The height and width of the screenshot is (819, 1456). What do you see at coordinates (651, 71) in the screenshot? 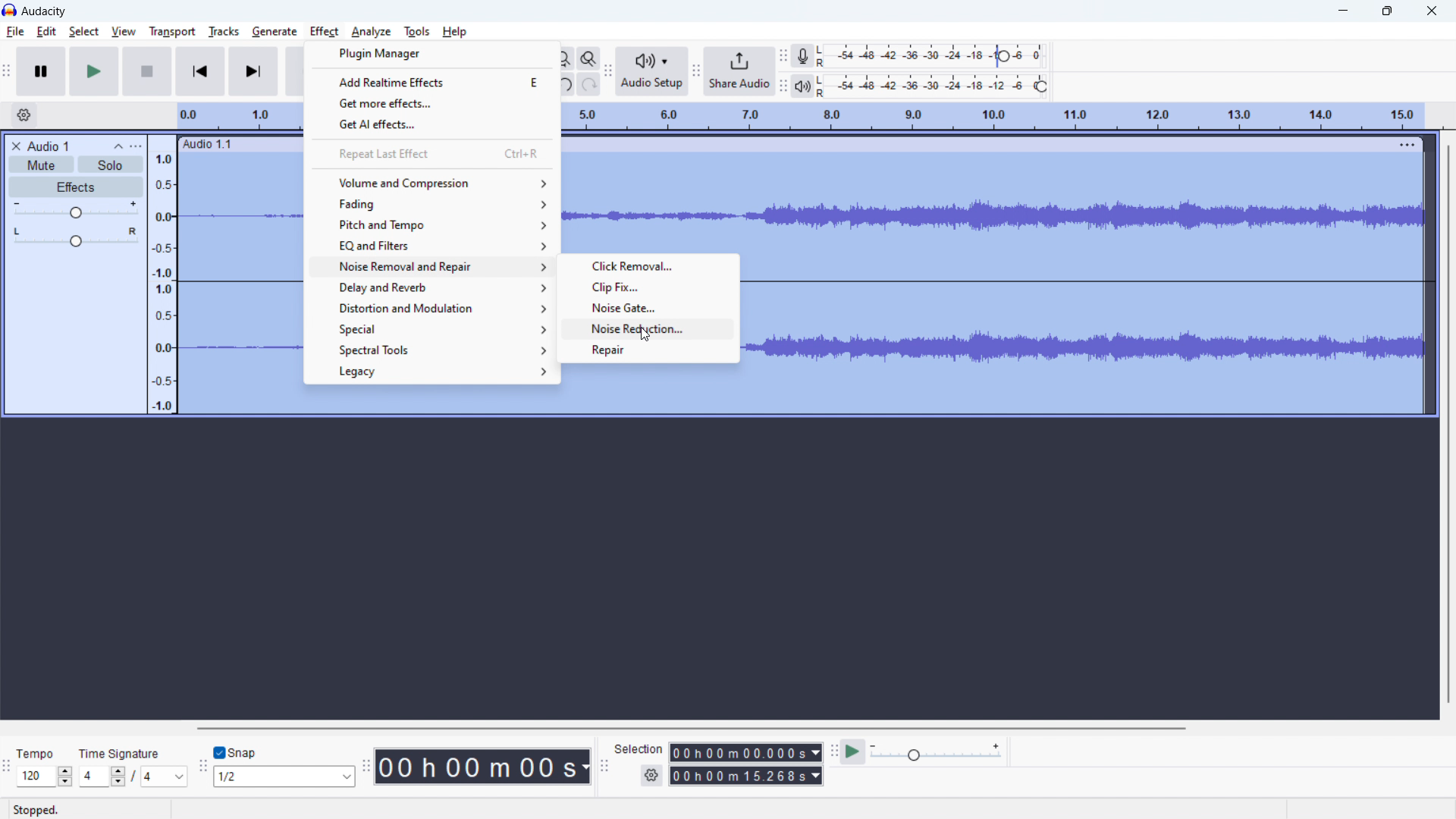
I see `audio setup` at bounding box center [651, 71].